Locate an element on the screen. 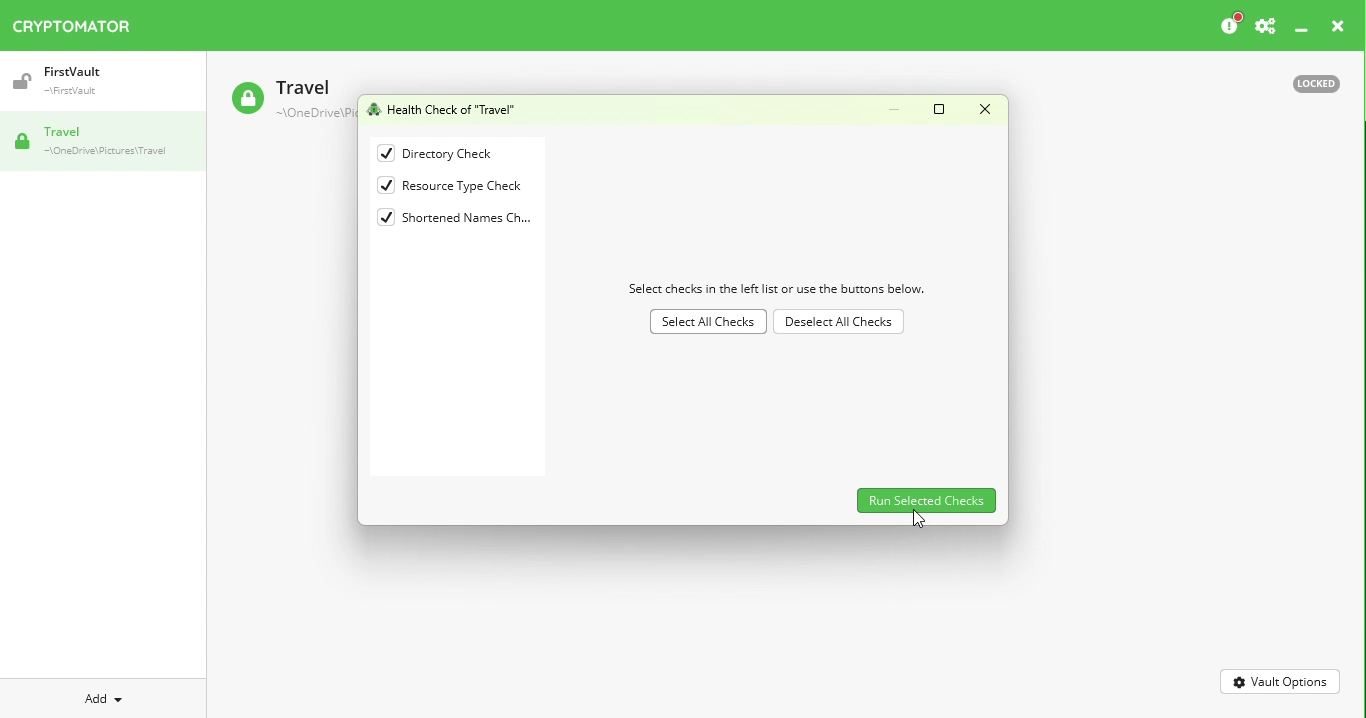  Maximize is located at coordinates (940, 108).